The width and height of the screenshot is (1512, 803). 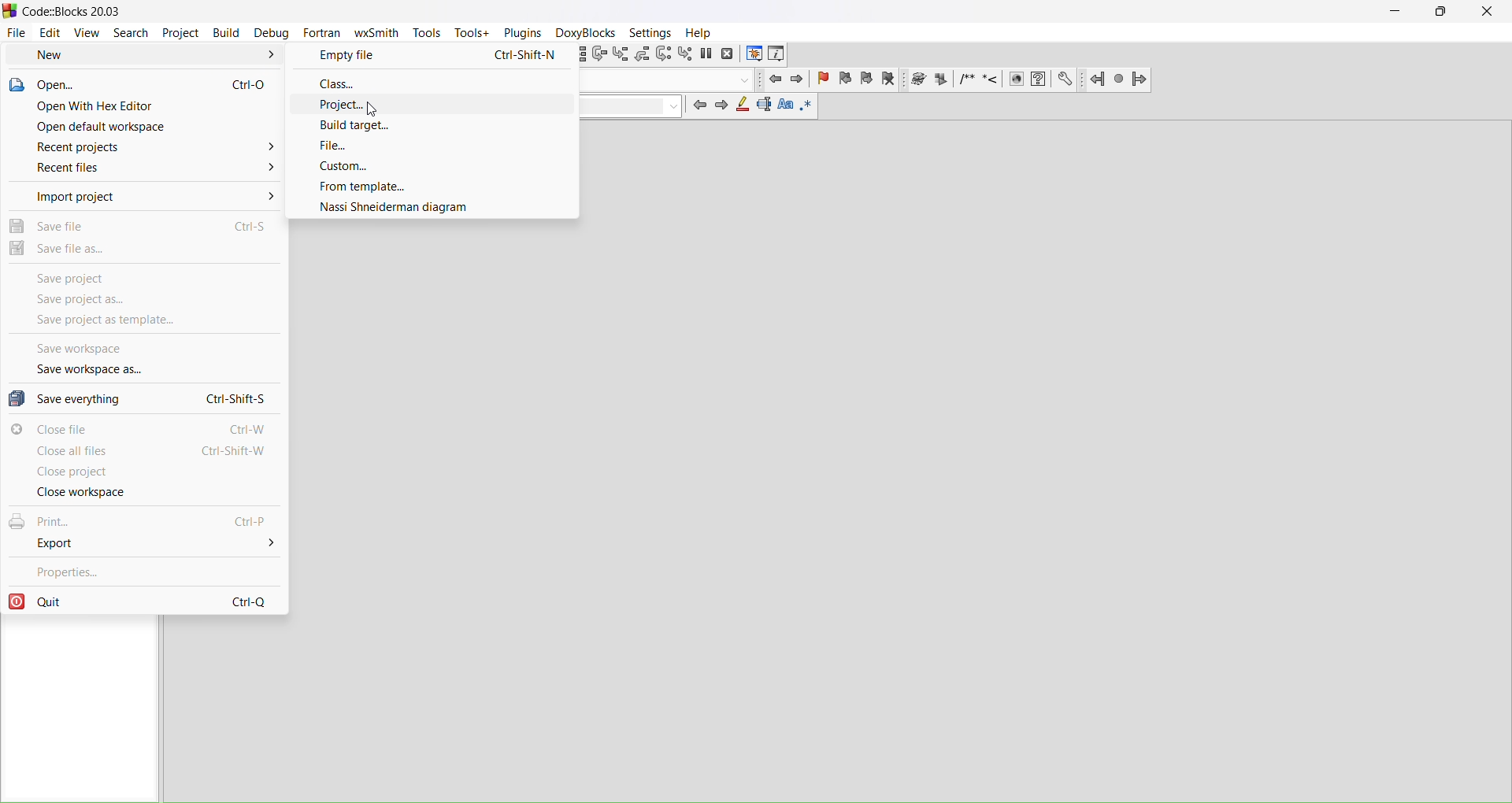 I want to click on project, so click(x=432, y=104).